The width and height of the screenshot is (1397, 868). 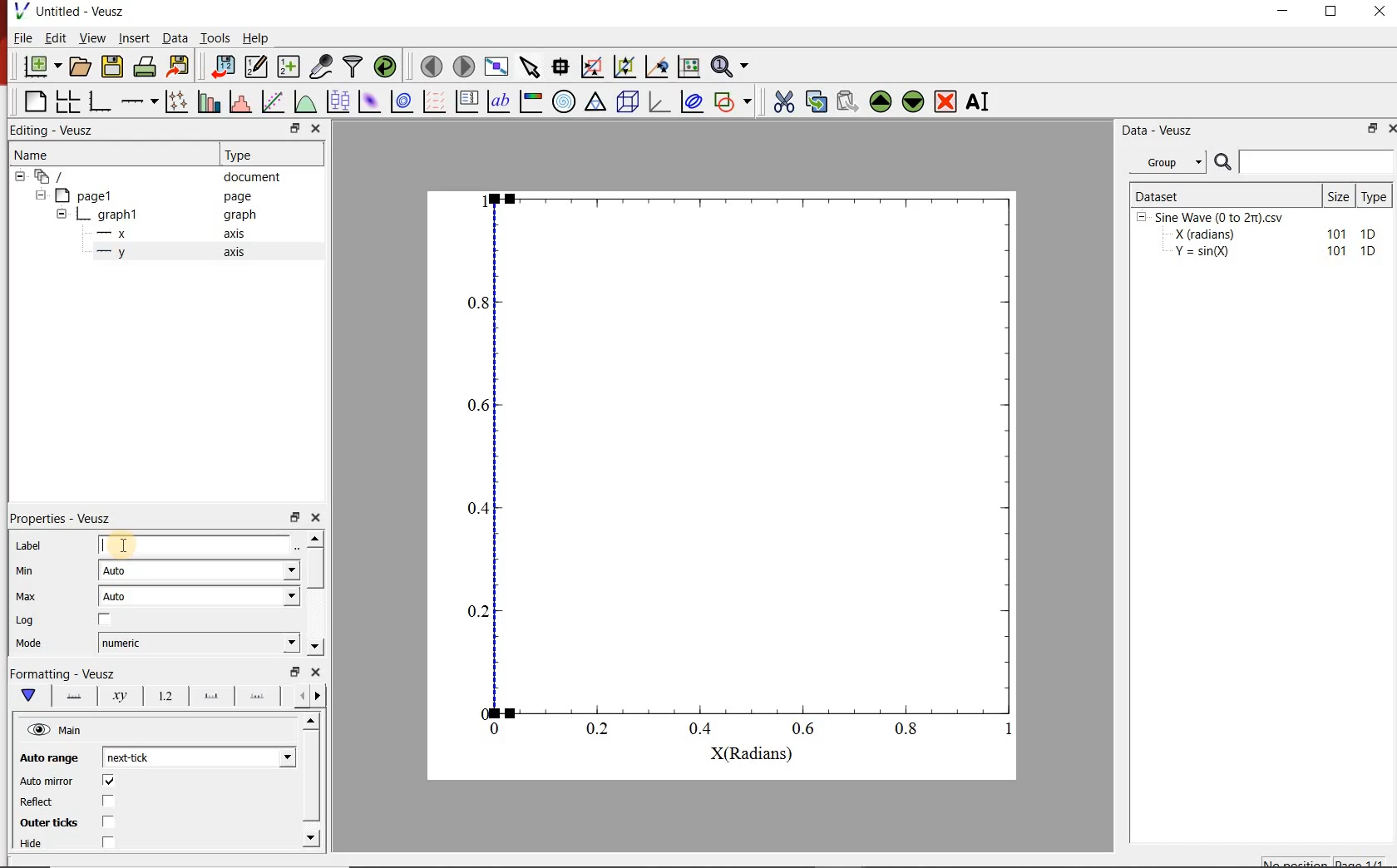 I want to click on Outer ticks, so click(x=45, y=822).